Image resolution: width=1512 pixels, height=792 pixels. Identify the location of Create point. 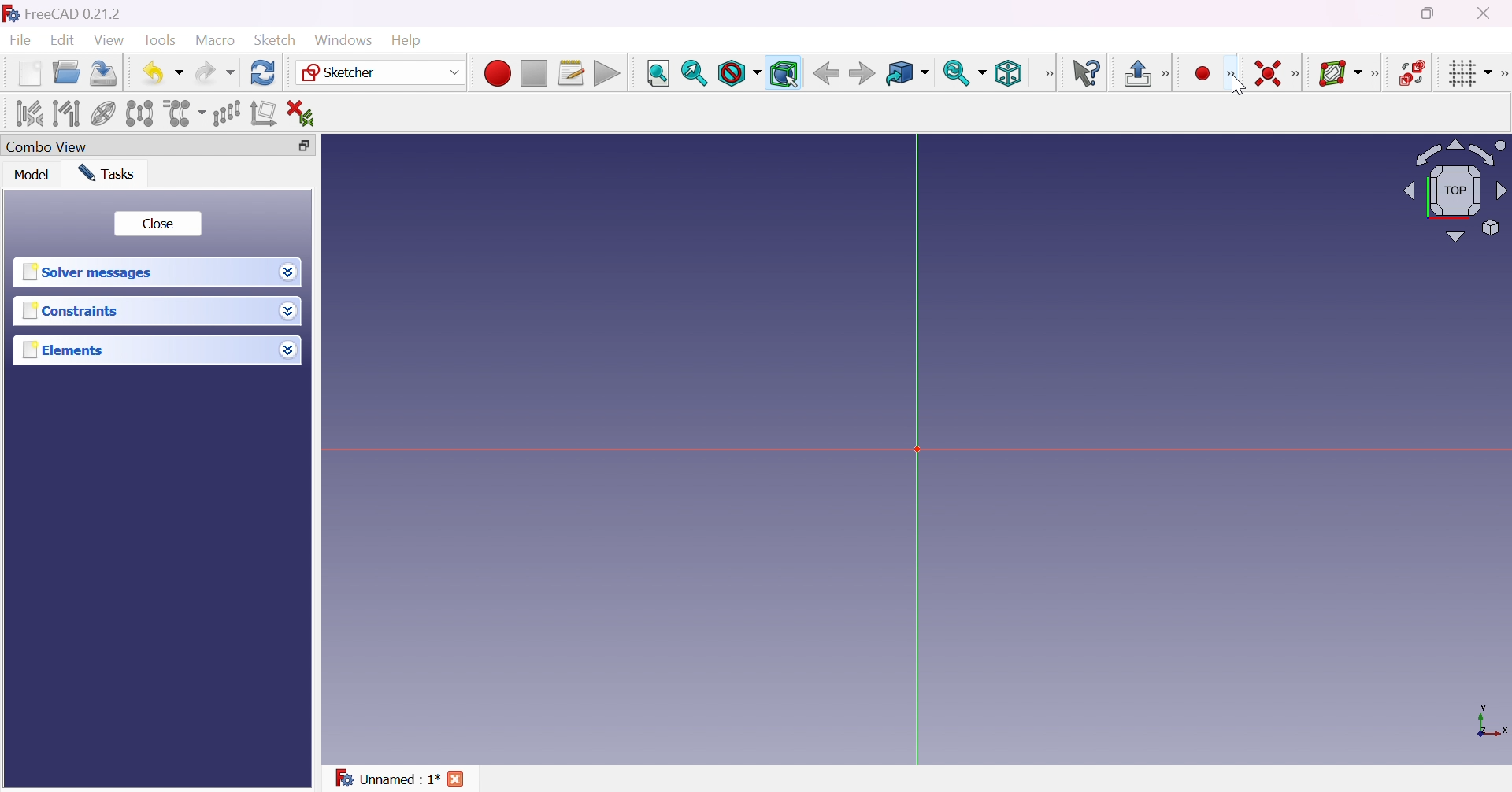
(1204, 74).